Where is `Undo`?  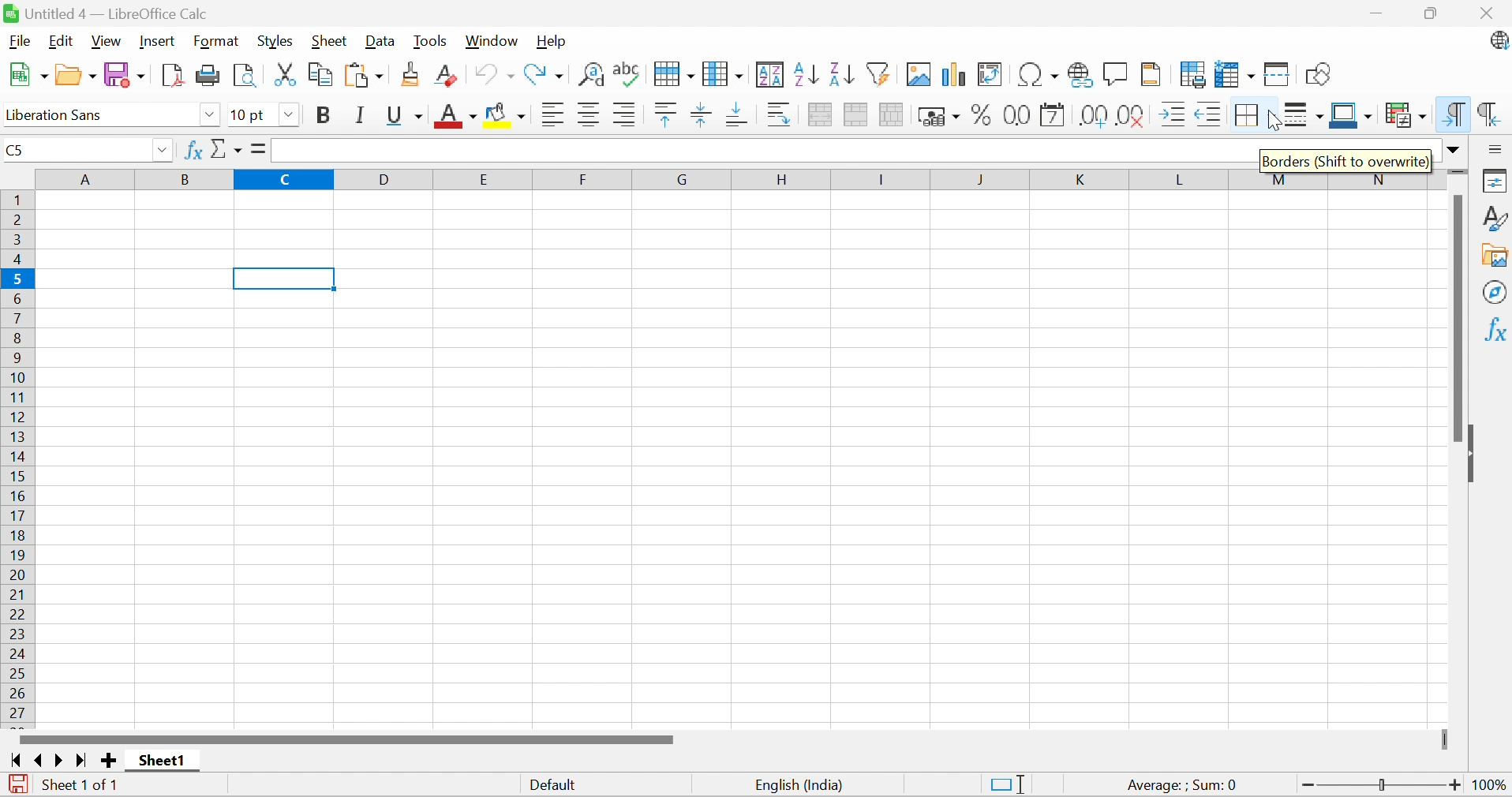
Undo is located at coordinates (494, 74).